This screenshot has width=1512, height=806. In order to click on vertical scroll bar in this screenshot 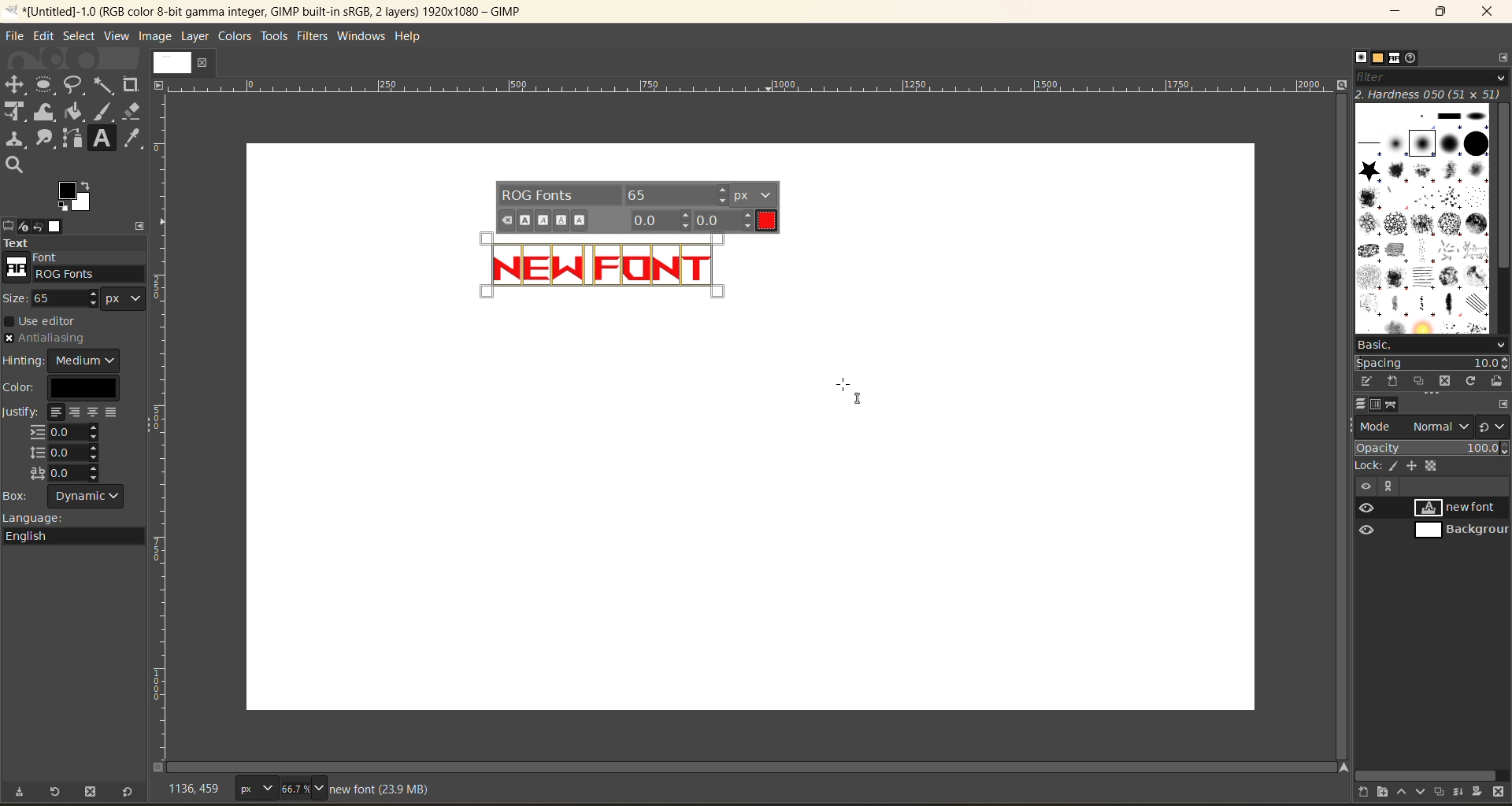, I will do `click(1503, 189)`.